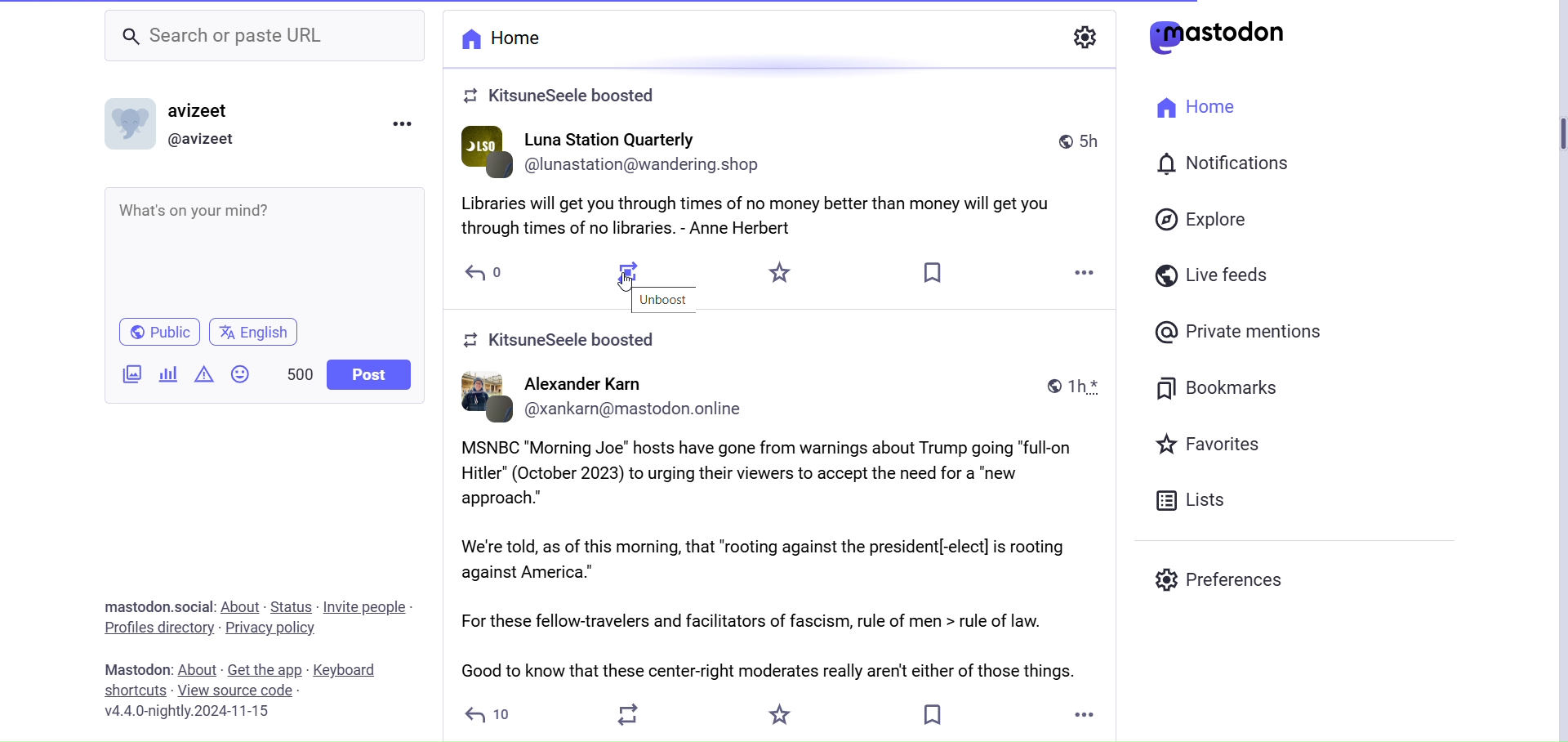 Image resolution: width=1568 pixels, height=742 pixels. I want to click on Invite People, so click(365, 607).